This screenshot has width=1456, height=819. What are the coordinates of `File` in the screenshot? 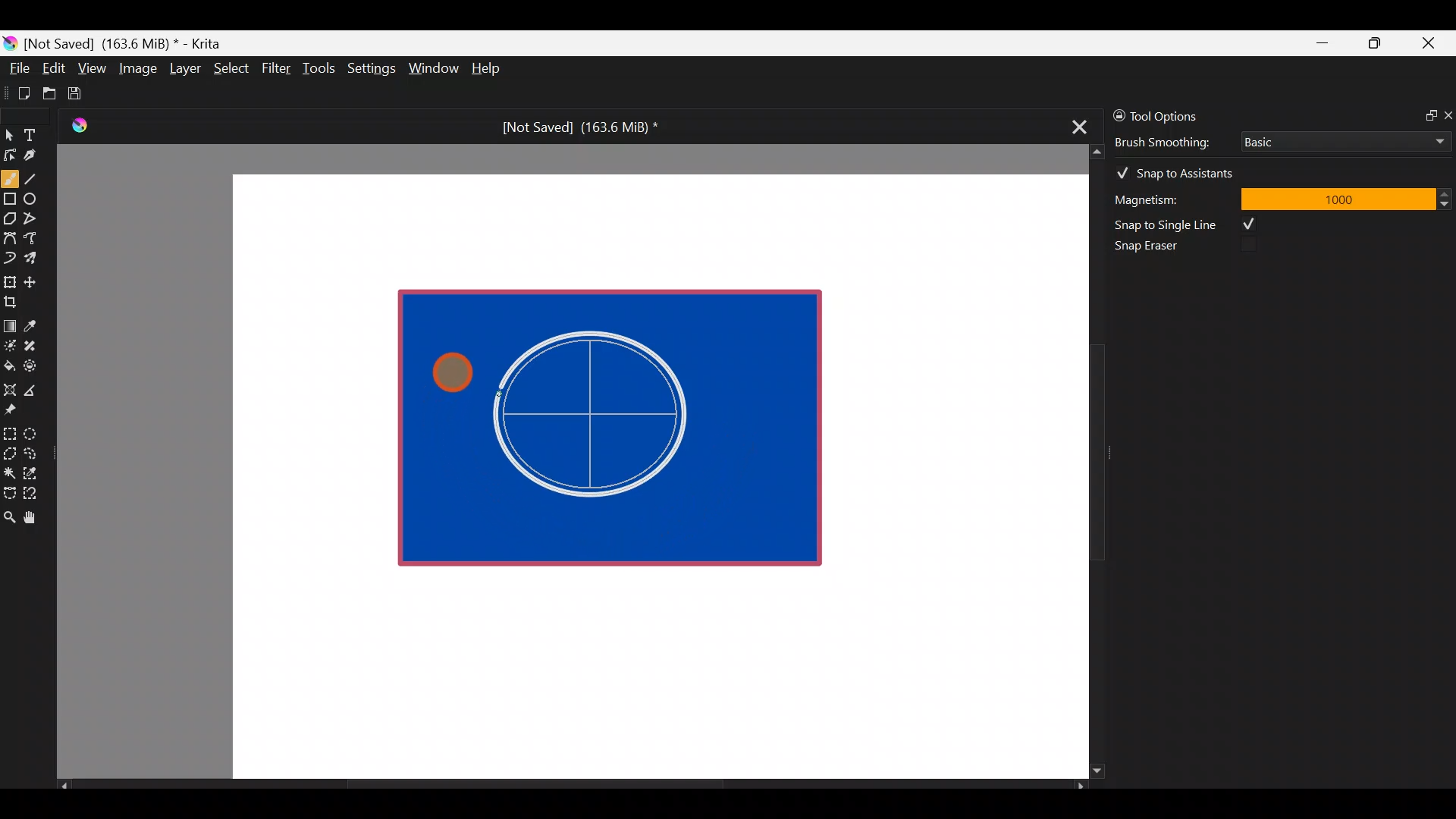 It's located at (15, 71).